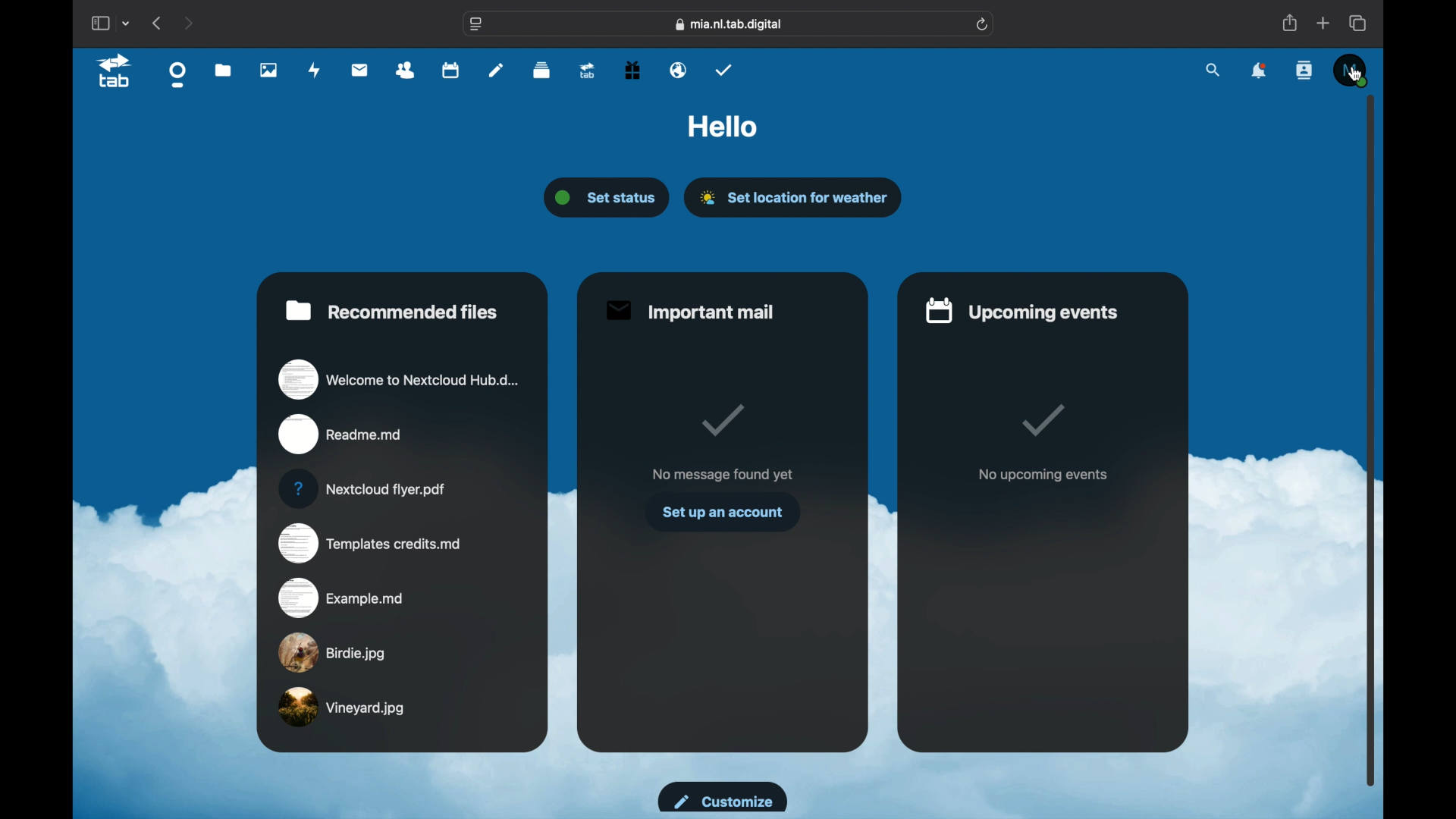 The image size is (1456, 819). I want to click on tab group picker, so click(127, 23).